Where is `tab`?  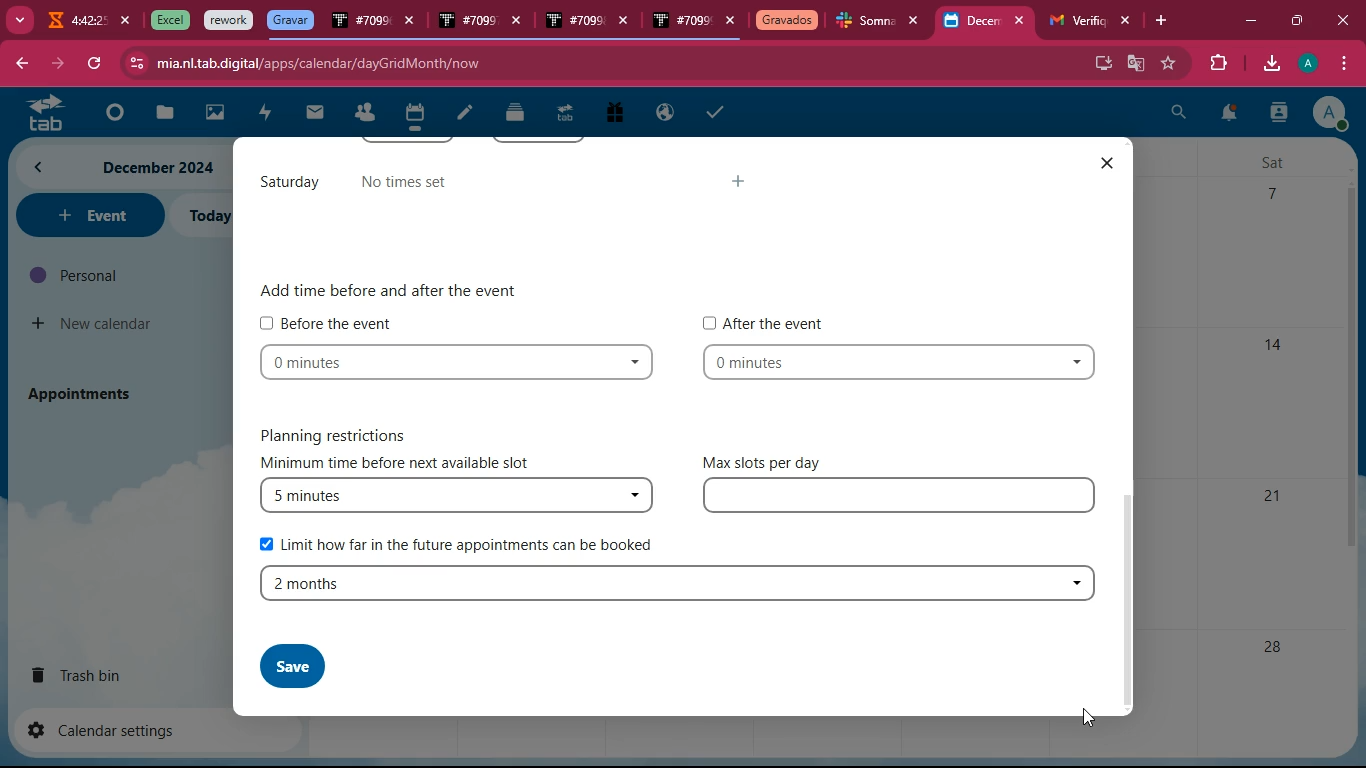
tab is located at coordinates (681, 23).